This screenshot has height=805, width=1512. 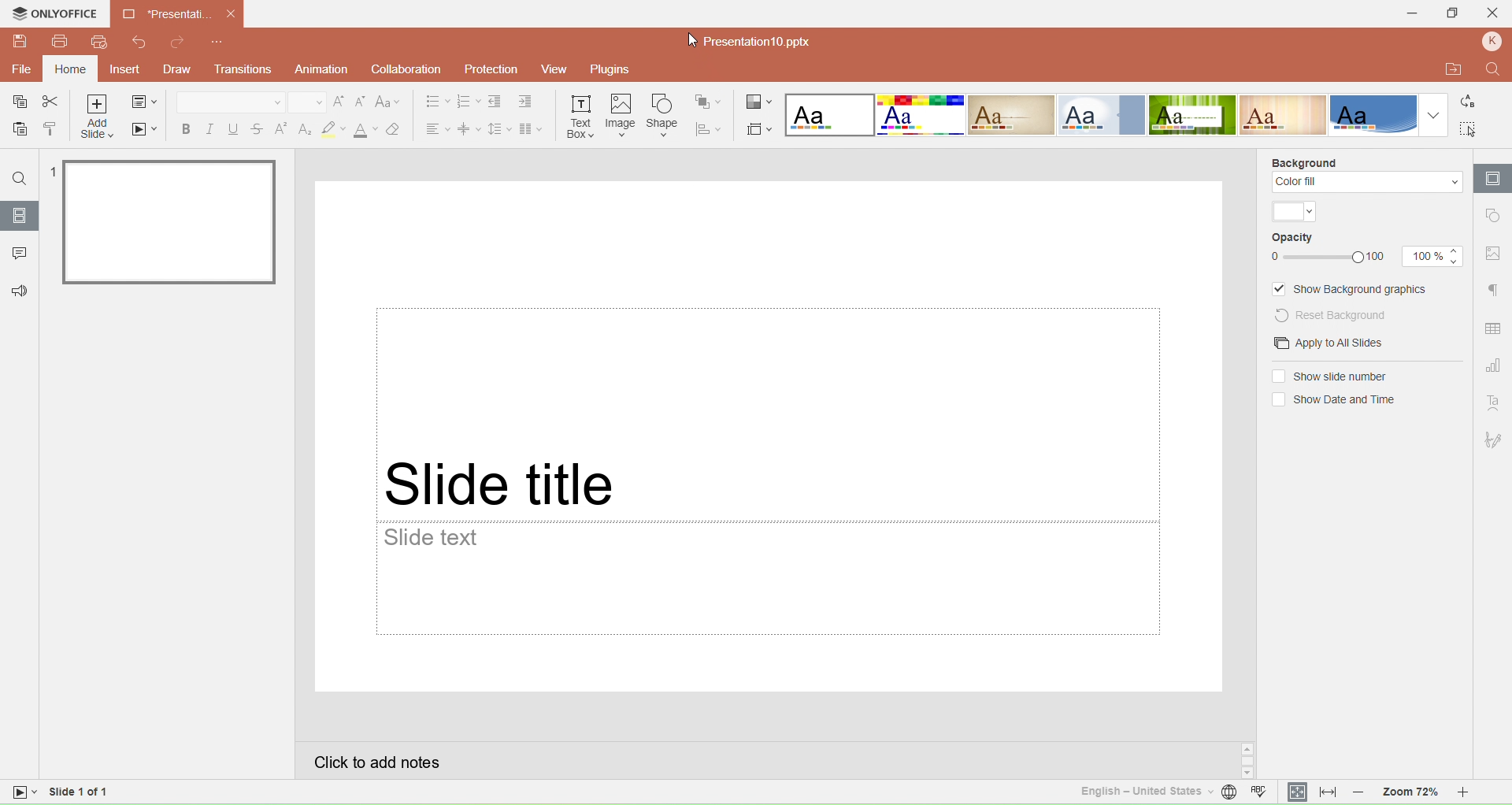 I want to click on Lines, so click(x=1284, y=114).